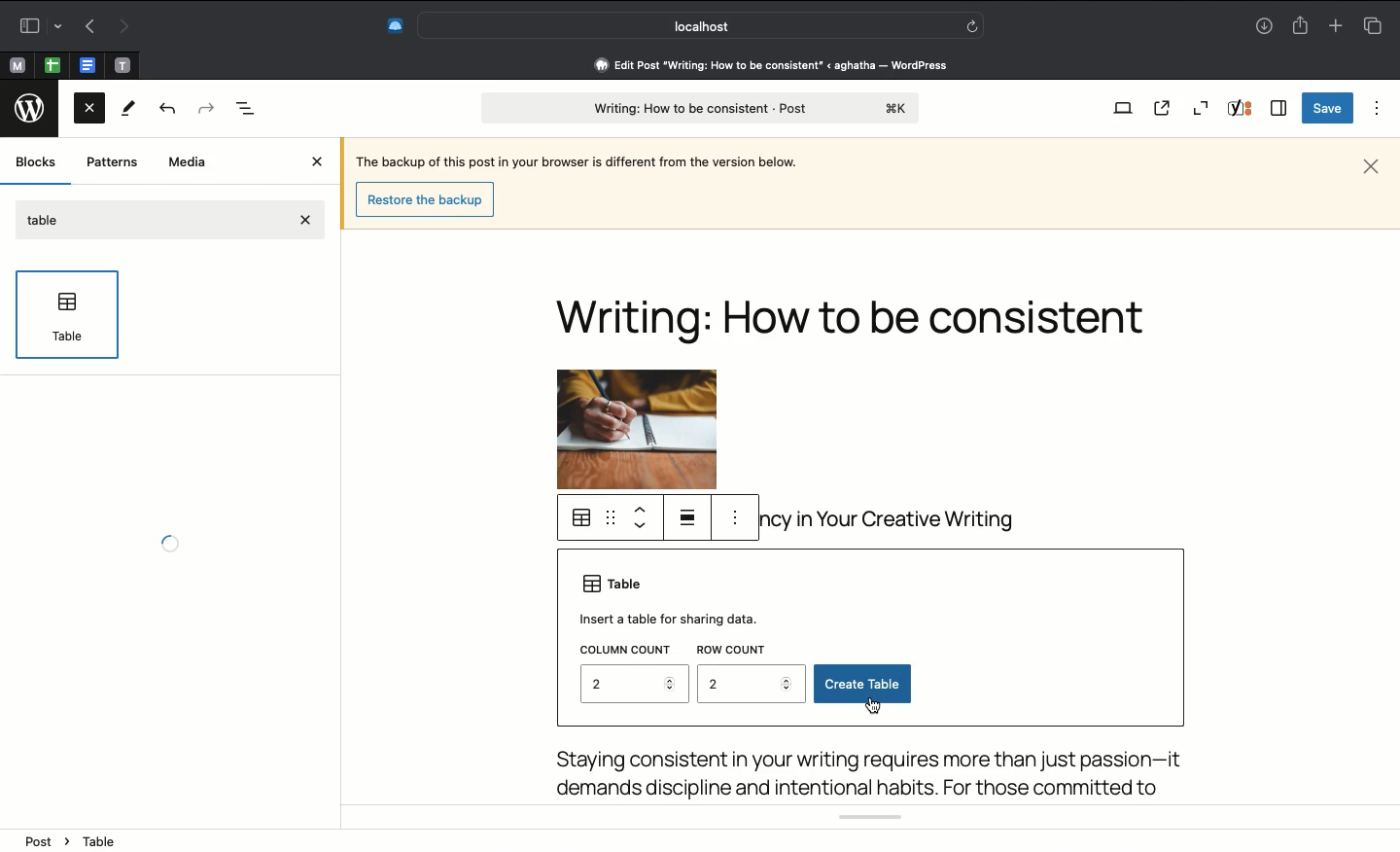 The height and width of the screenshot is (852, 1400). Describe the element at coordinates (122, 28) in the screenshot. I see `Next page` at that location.